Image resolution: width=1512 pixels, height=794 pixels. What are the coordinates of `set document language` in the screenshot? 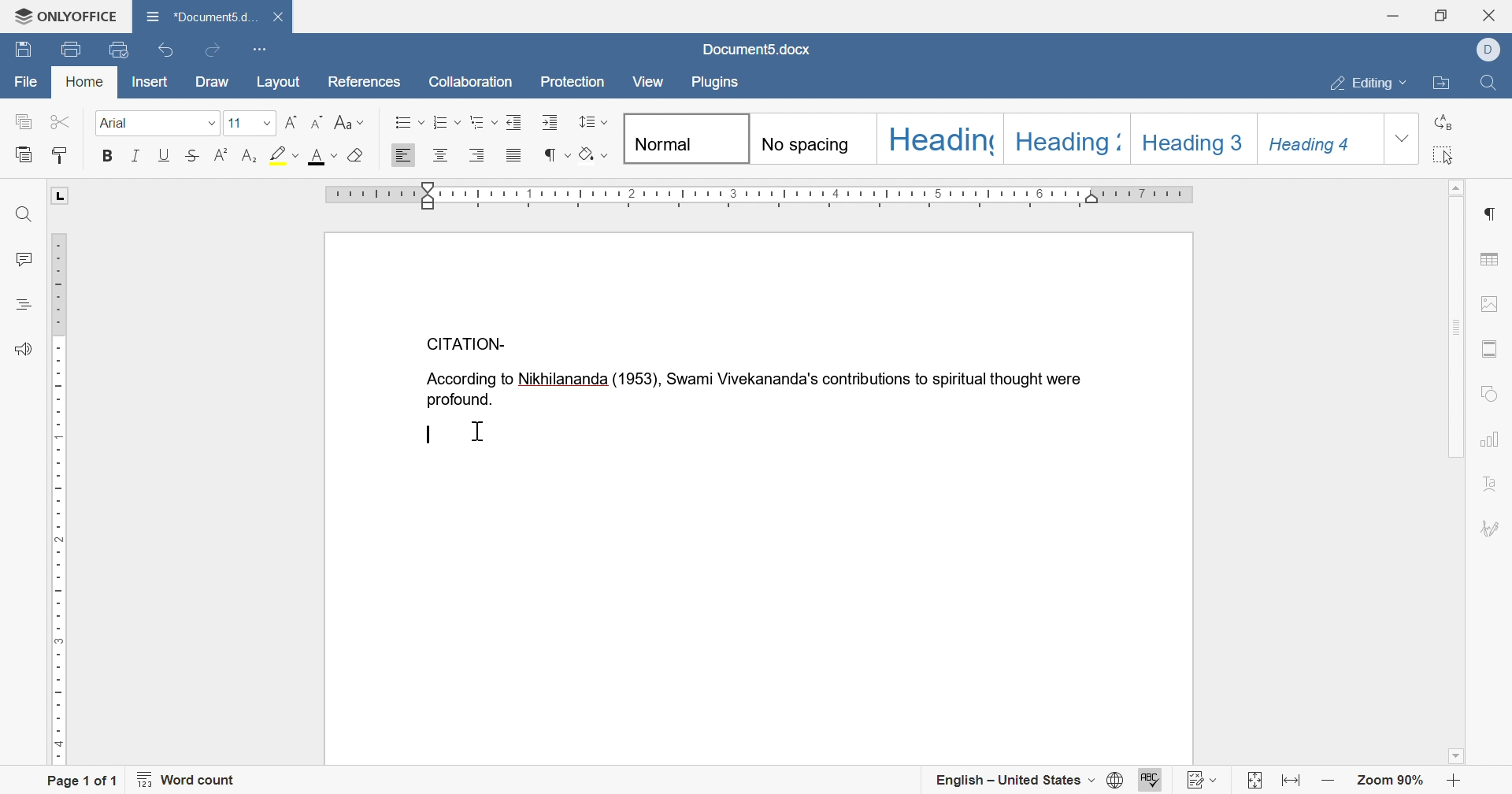 It's located at (1117, 781).